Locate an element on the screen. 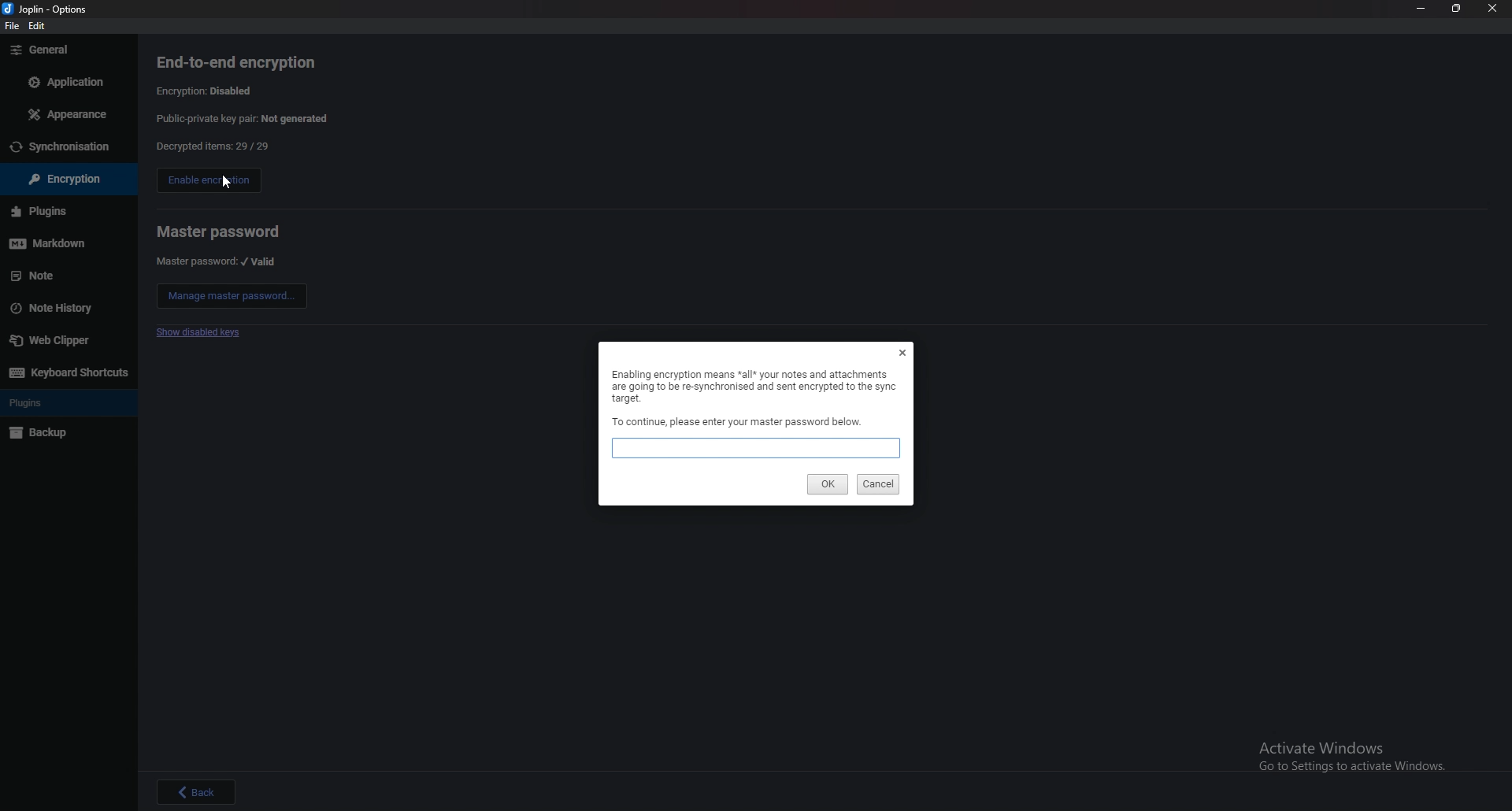 Image resolution: width=1512 pixels, height=811 pixels. Text is located at coordinates (1360, 757).